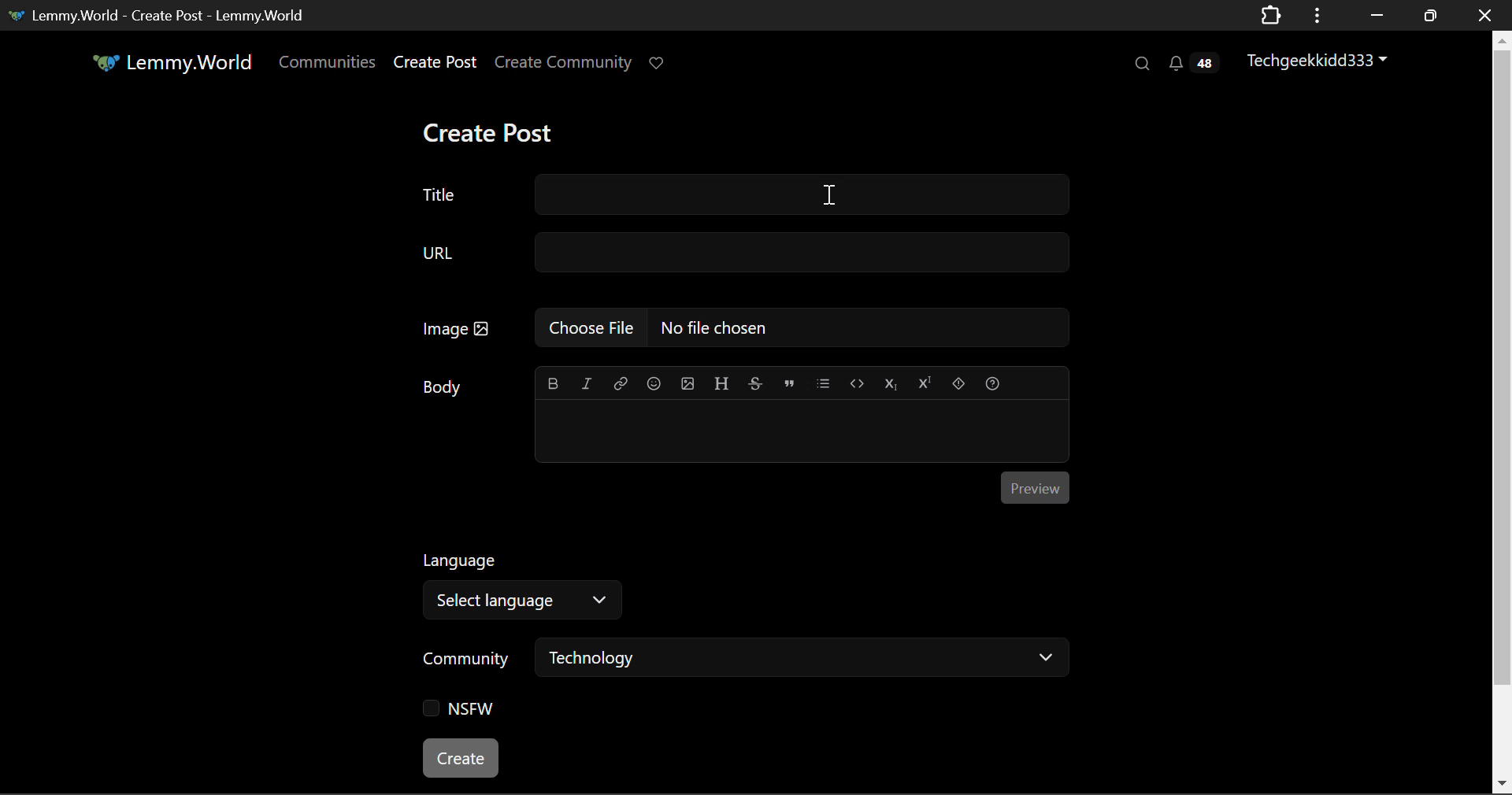 This screenshot has height=795, width=1512. Describe the element at coordinates (587, 383) in the screenshot. I see `italic` at that location.